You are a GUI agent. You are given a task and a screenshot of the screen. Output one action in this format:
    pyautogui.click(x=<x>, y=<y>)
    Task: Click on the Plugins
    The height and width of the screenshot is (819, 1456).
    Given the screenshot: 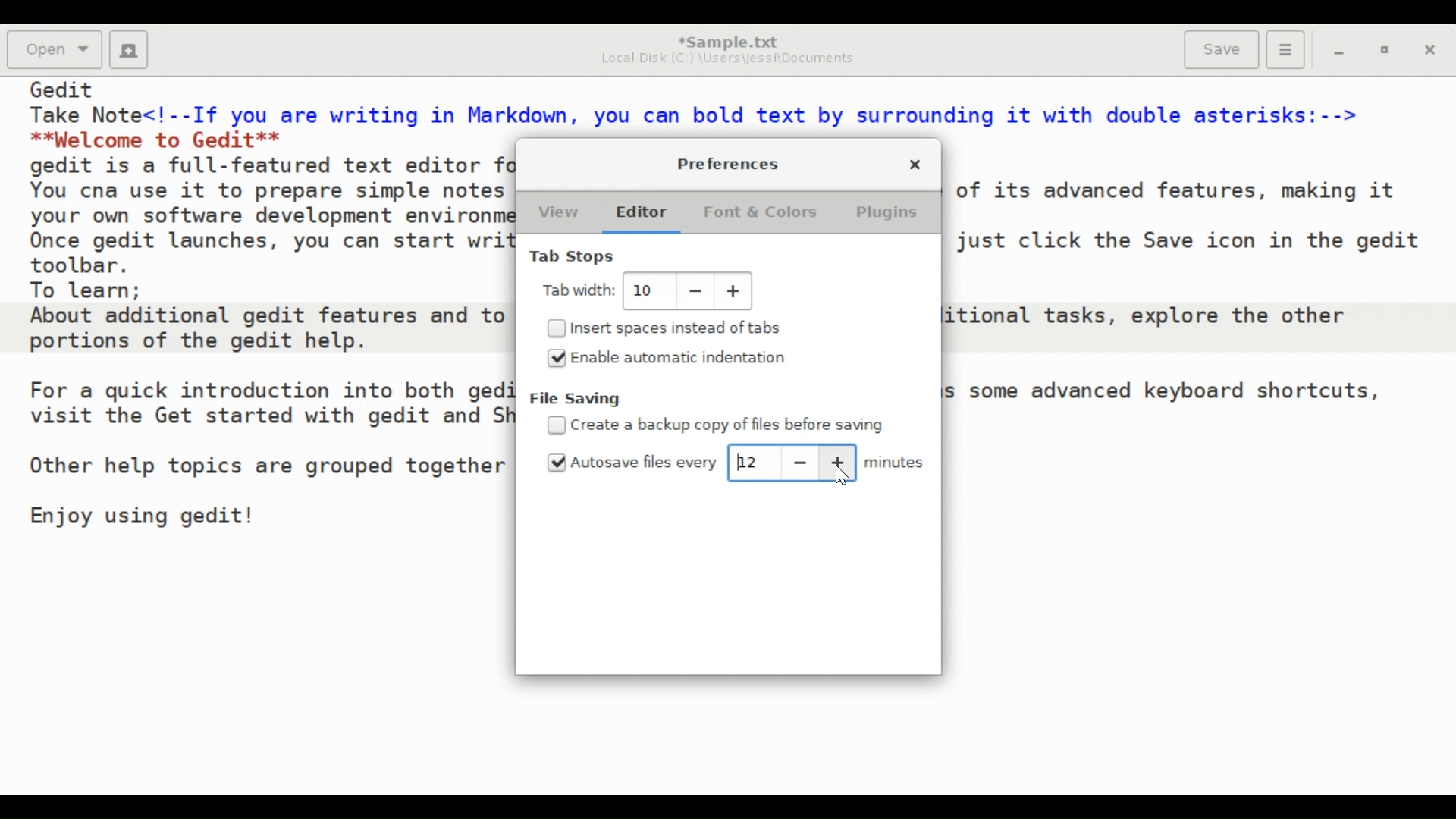 What is the action you would take?
    pyautogui.click(x=886, y=212)
    